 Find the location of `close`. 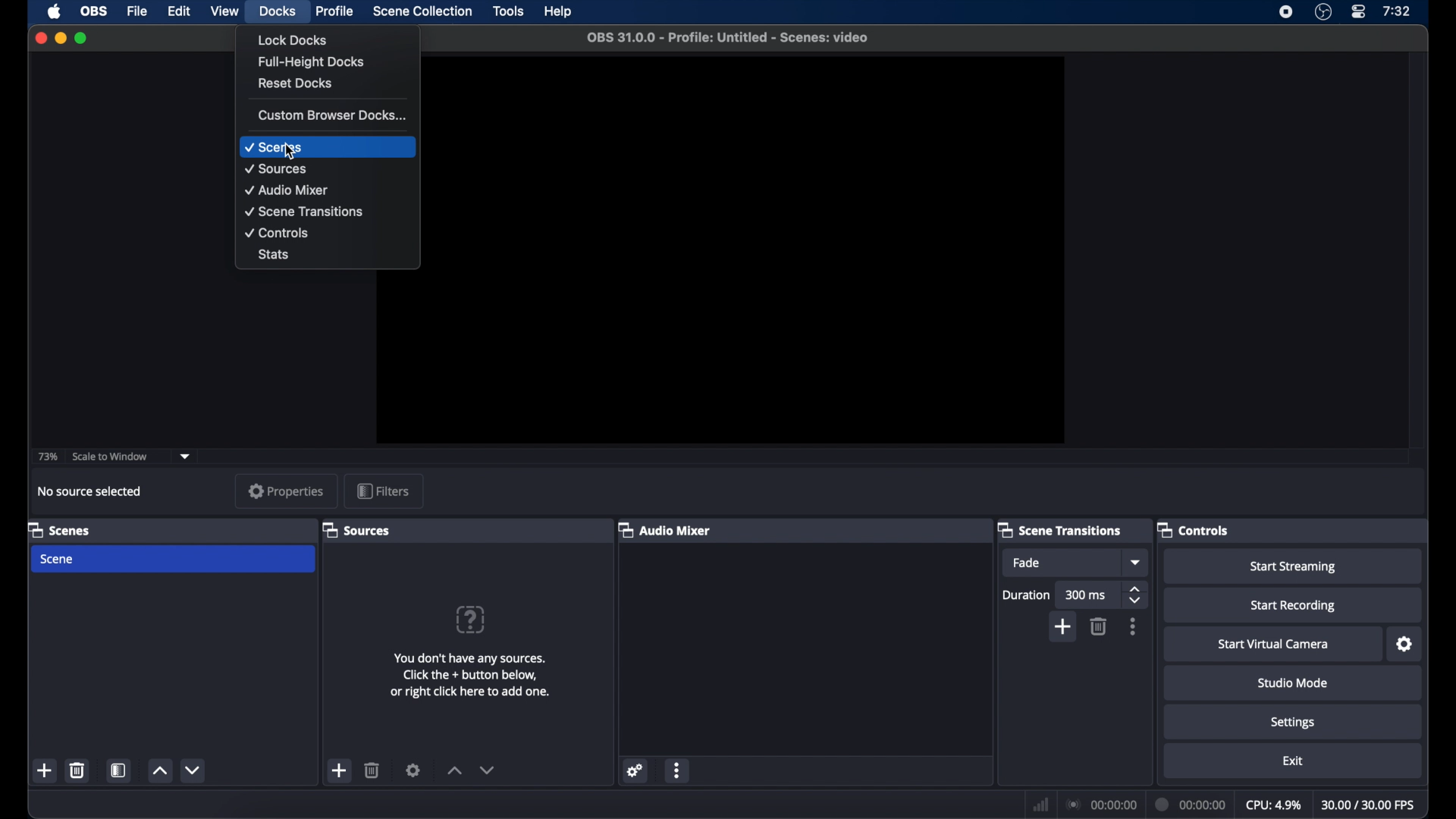

close is located at coordinates (42, 37).